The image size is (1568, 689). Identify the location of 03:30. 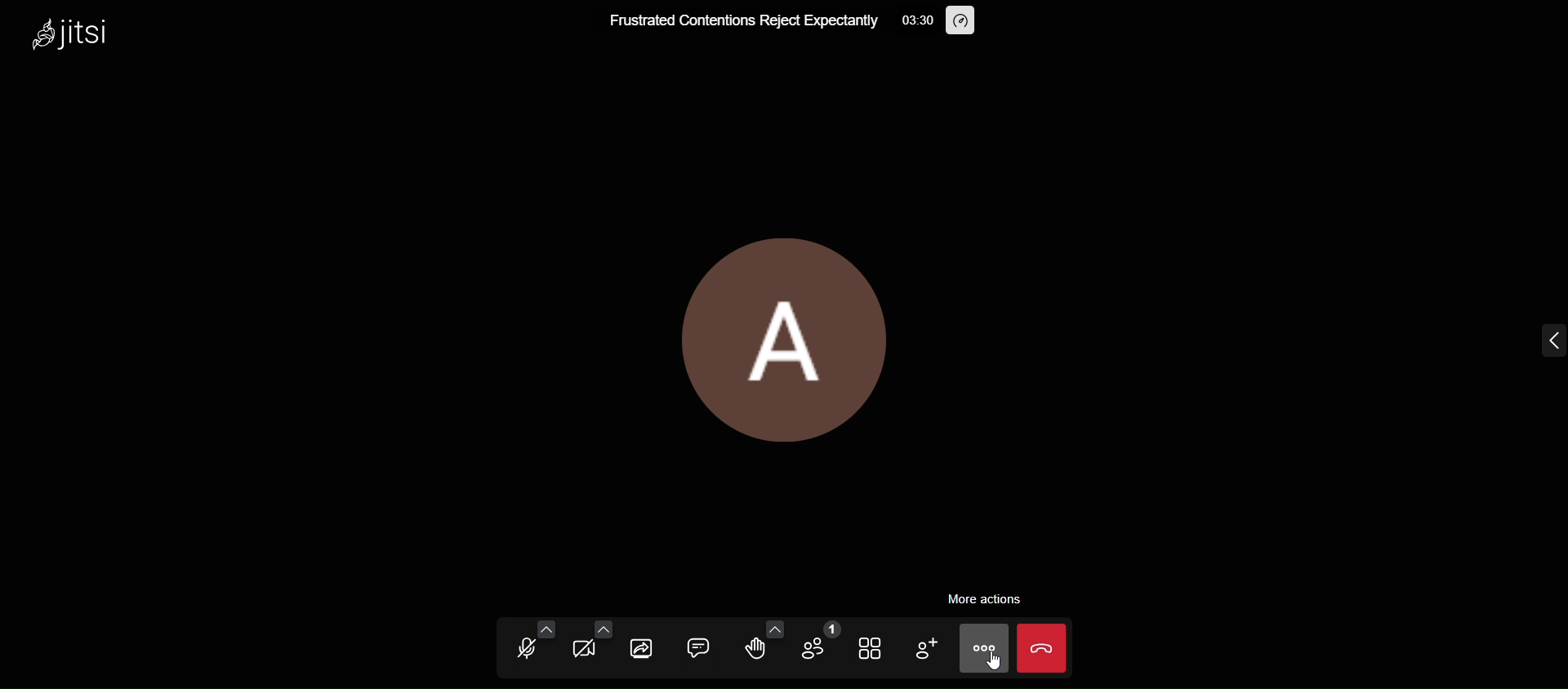
(918, 19).